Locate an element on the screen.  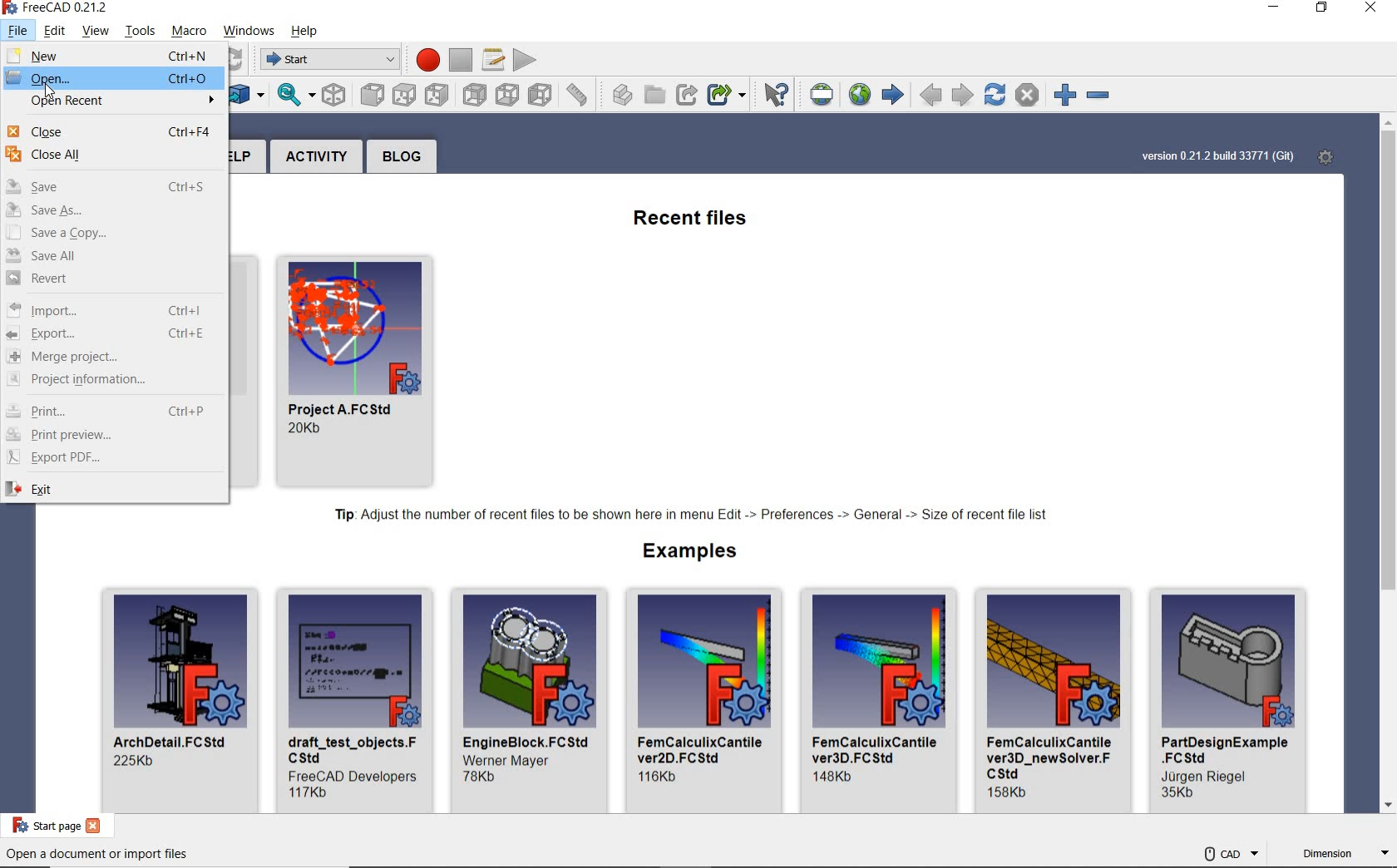
image is located at coordinates (880, 659).